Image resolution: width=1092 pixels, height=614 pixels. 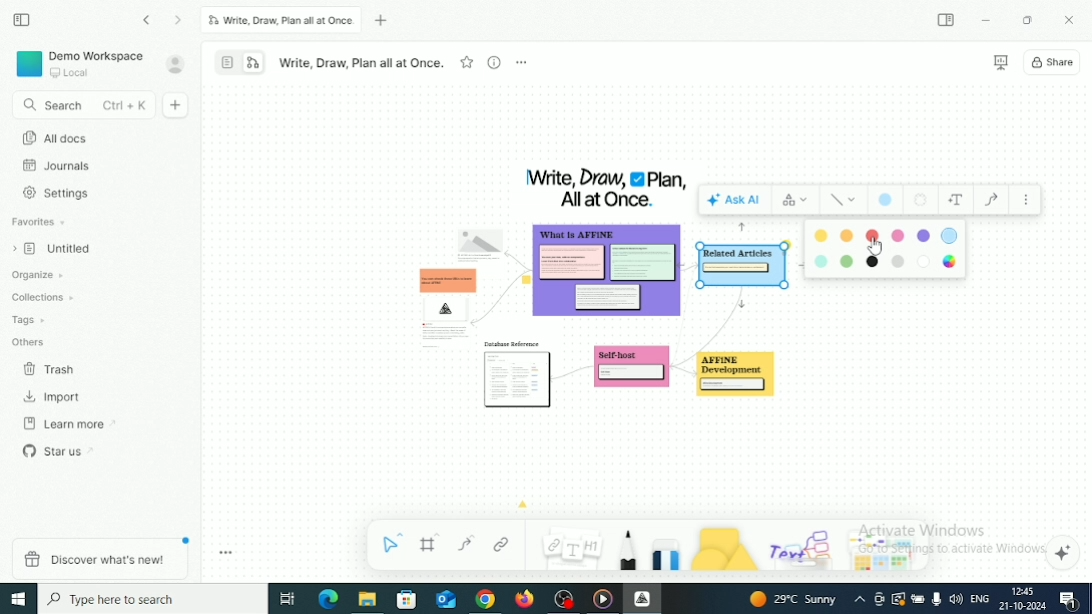 What do you see at coordinates (848, 261) in the screenshot?
I see `Light green` at bounding box center [848, 261].